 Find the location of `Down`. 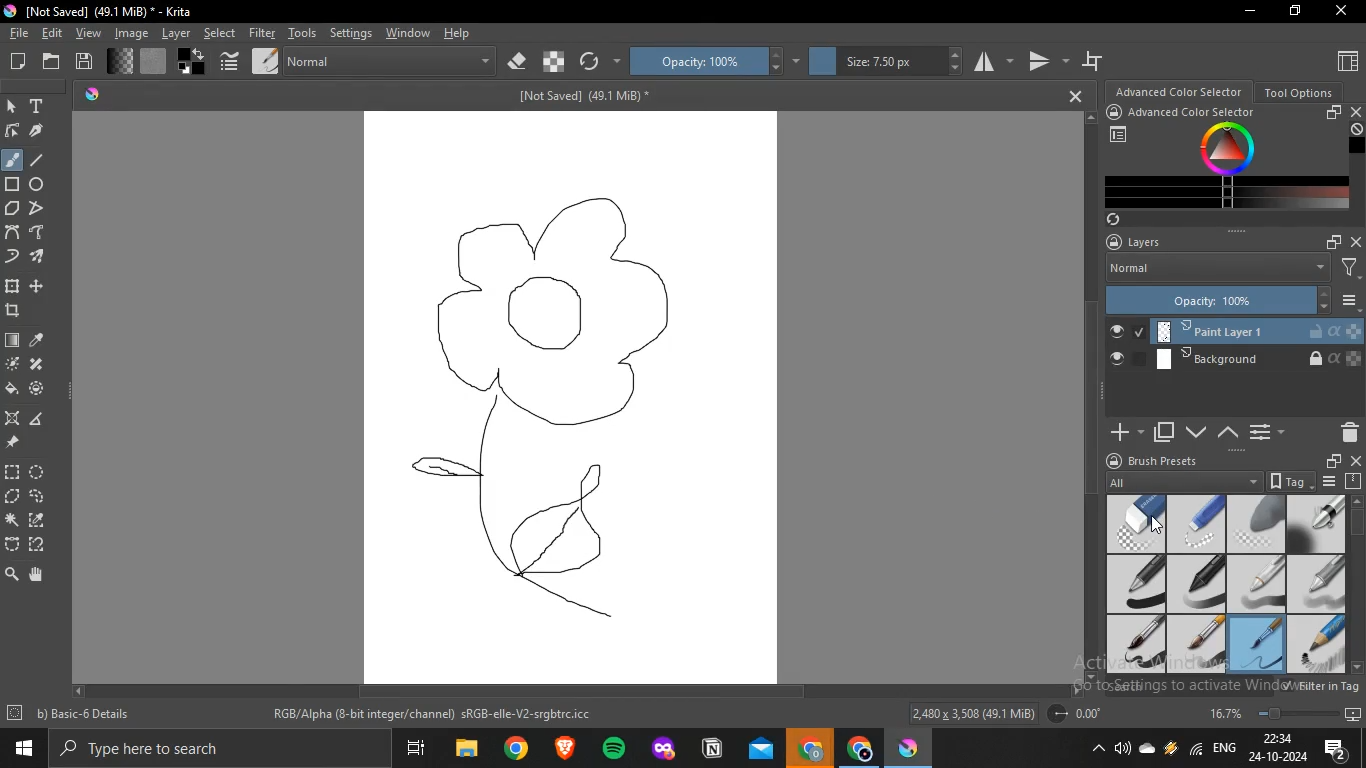

Down is located at coordinates (1357, 667).